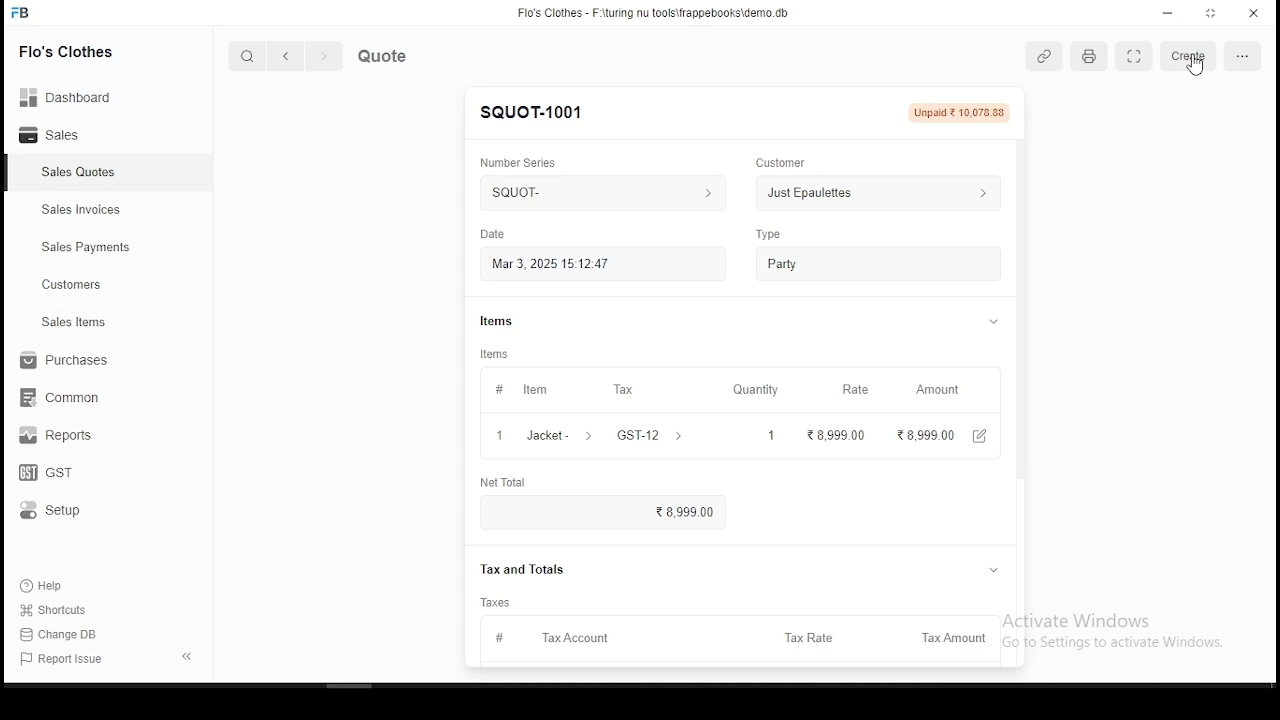 Image resolution: width=1280 pixels, height=720 pixels. What do you see at coordinates (949, 636) in the screenshot?
I see `tax amount` at bounding box center [949, 636].